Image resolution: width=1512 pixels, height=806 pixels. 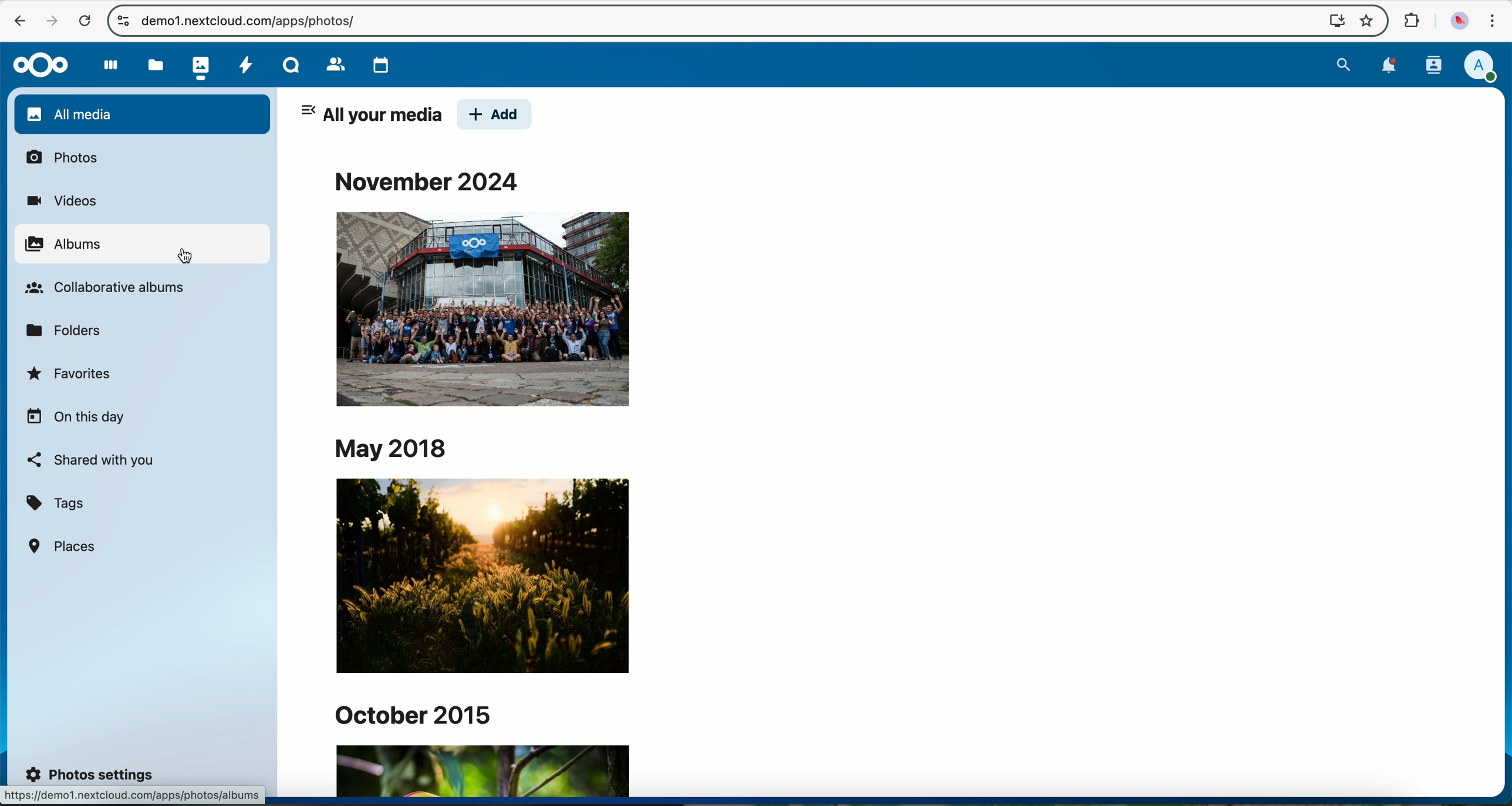 I want to click on photos settings, so click(x=90, y=773).